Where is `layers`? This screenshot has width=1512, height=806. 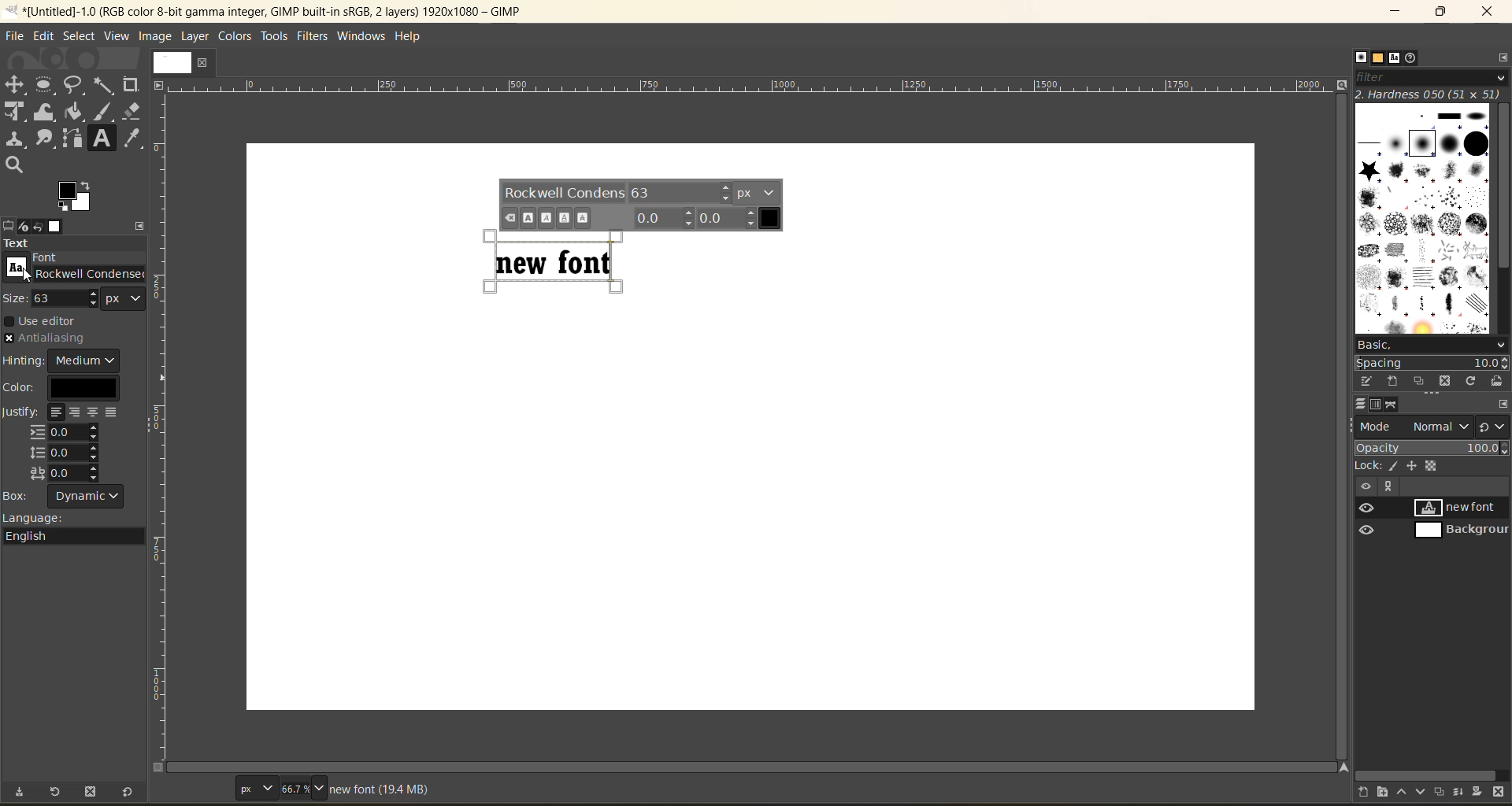 layers is located at coordinates (1361, 405).